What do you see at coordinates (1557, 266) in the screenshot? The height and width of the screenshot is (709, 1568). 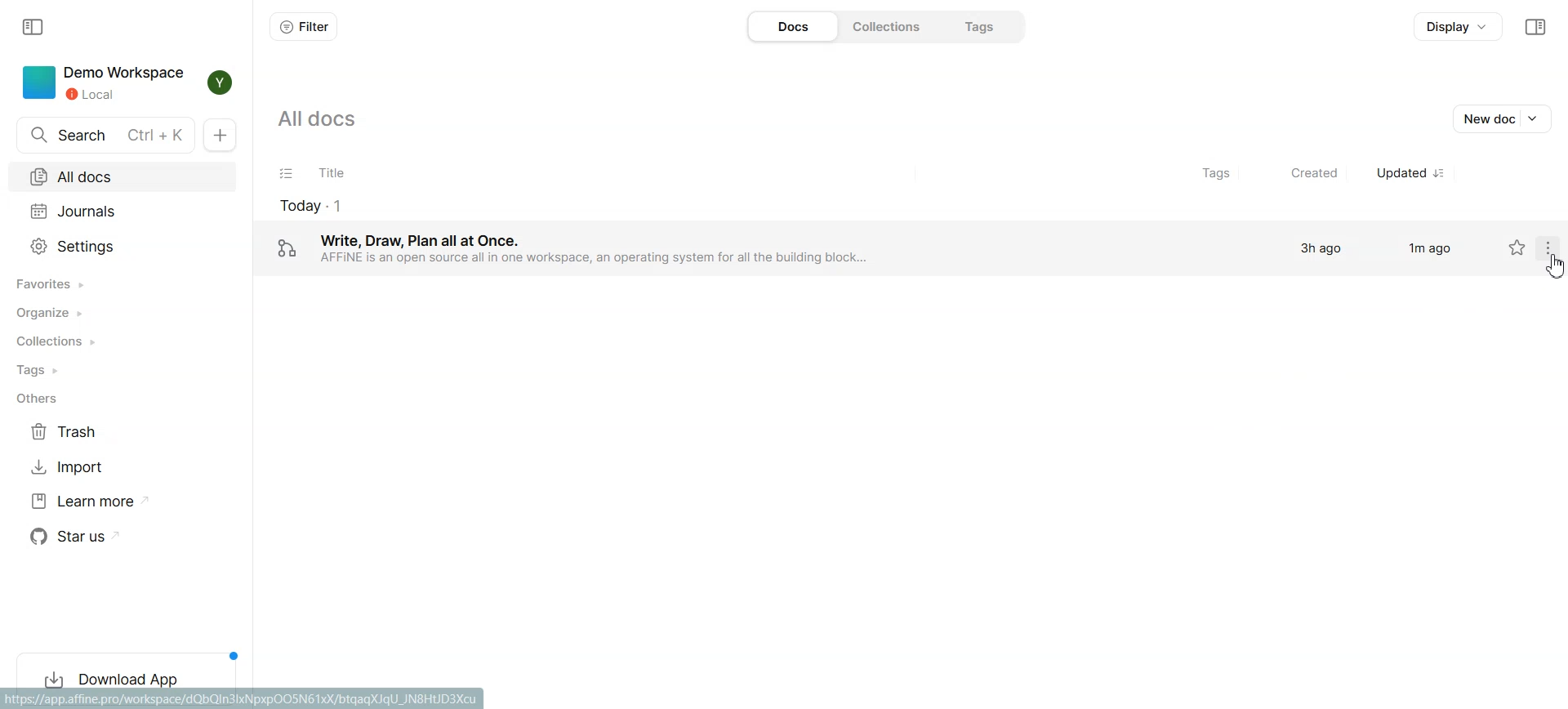 I see `Cursor` at bounding box center [1557, 266].